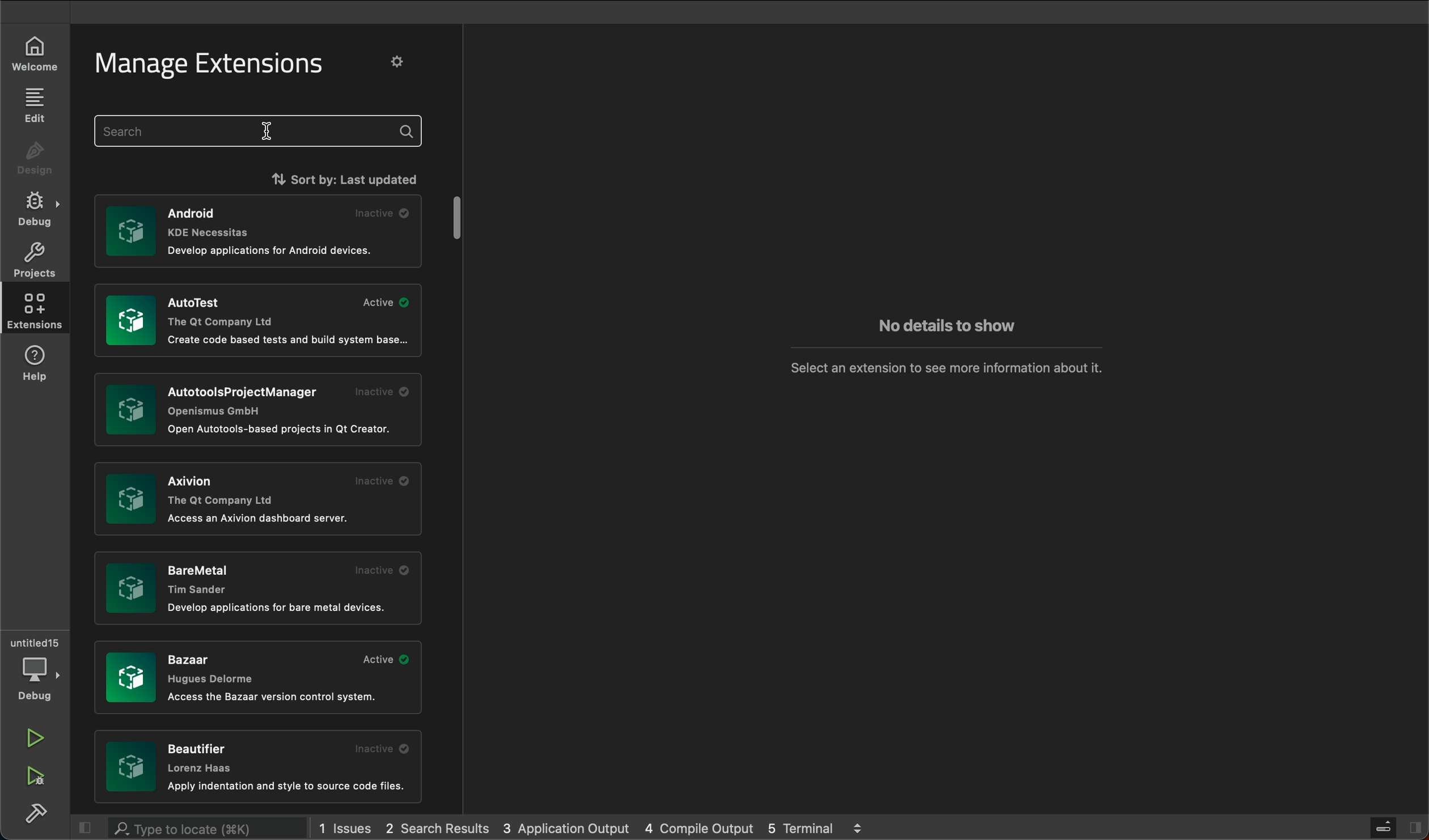 The width and height of the screenshot is (1429, 840). What do you see at coordinates (218, 219) in the screenshot?
I see `extension text` at bounding box center [218, 219].